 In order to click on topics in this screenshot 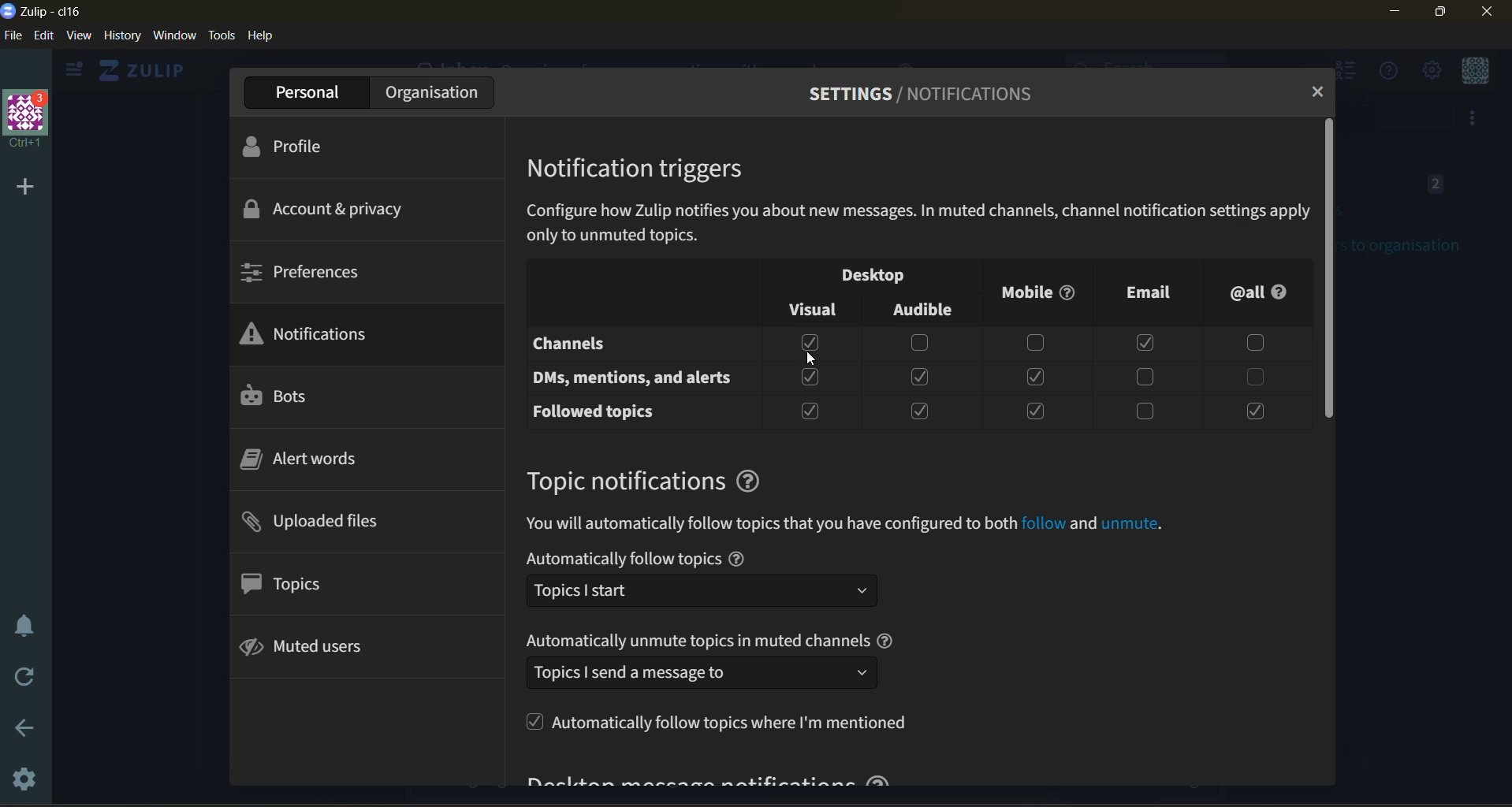, I will do `click(303, 585)`.